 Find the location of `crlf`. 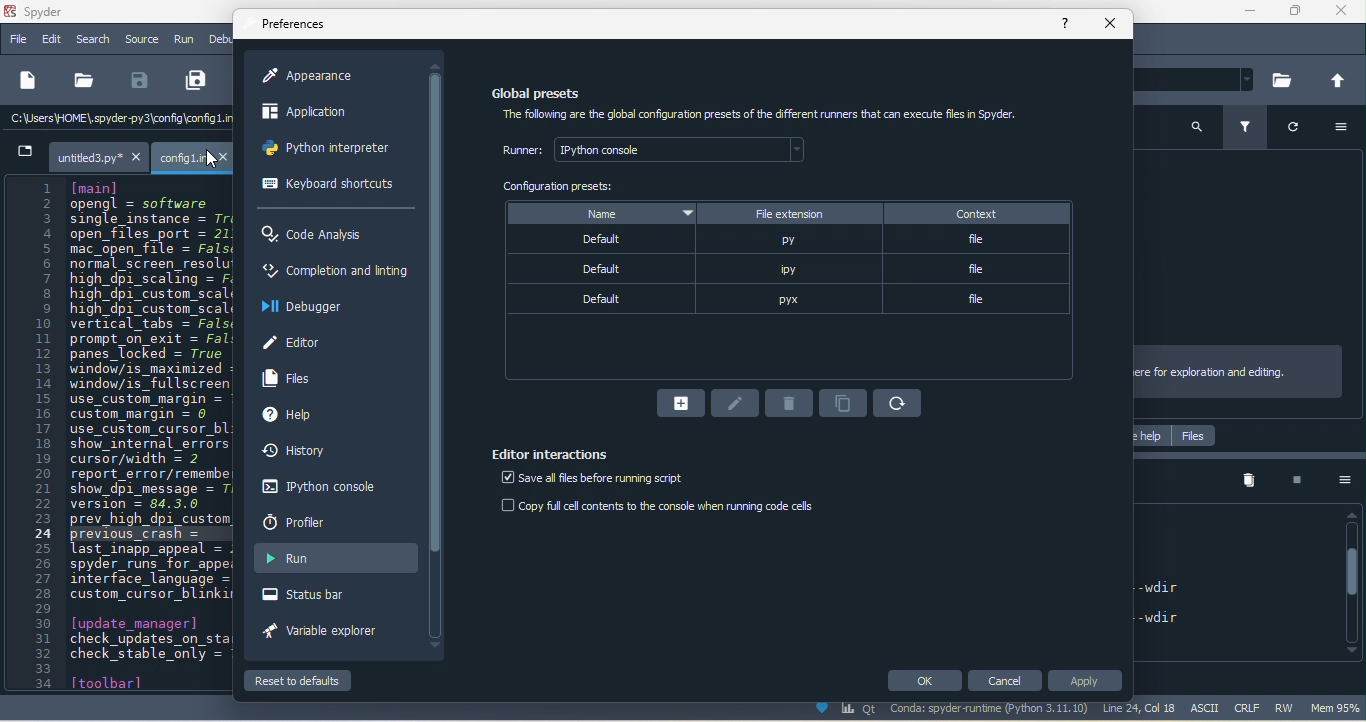

crlf is located at coordinates (1250, 708).